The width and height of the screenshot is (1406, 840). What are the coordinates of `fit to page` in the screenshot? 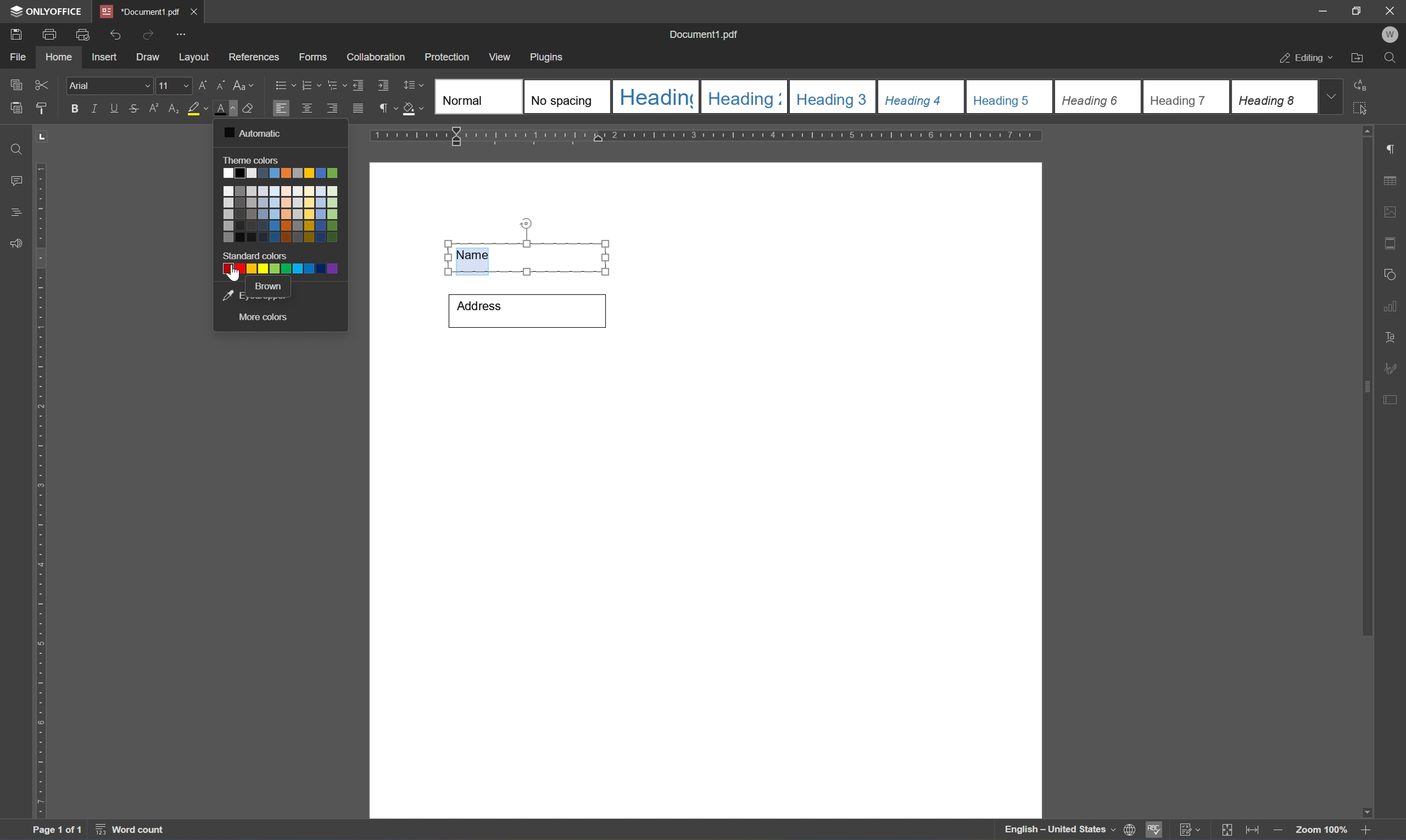 It's located at (1228, 830).